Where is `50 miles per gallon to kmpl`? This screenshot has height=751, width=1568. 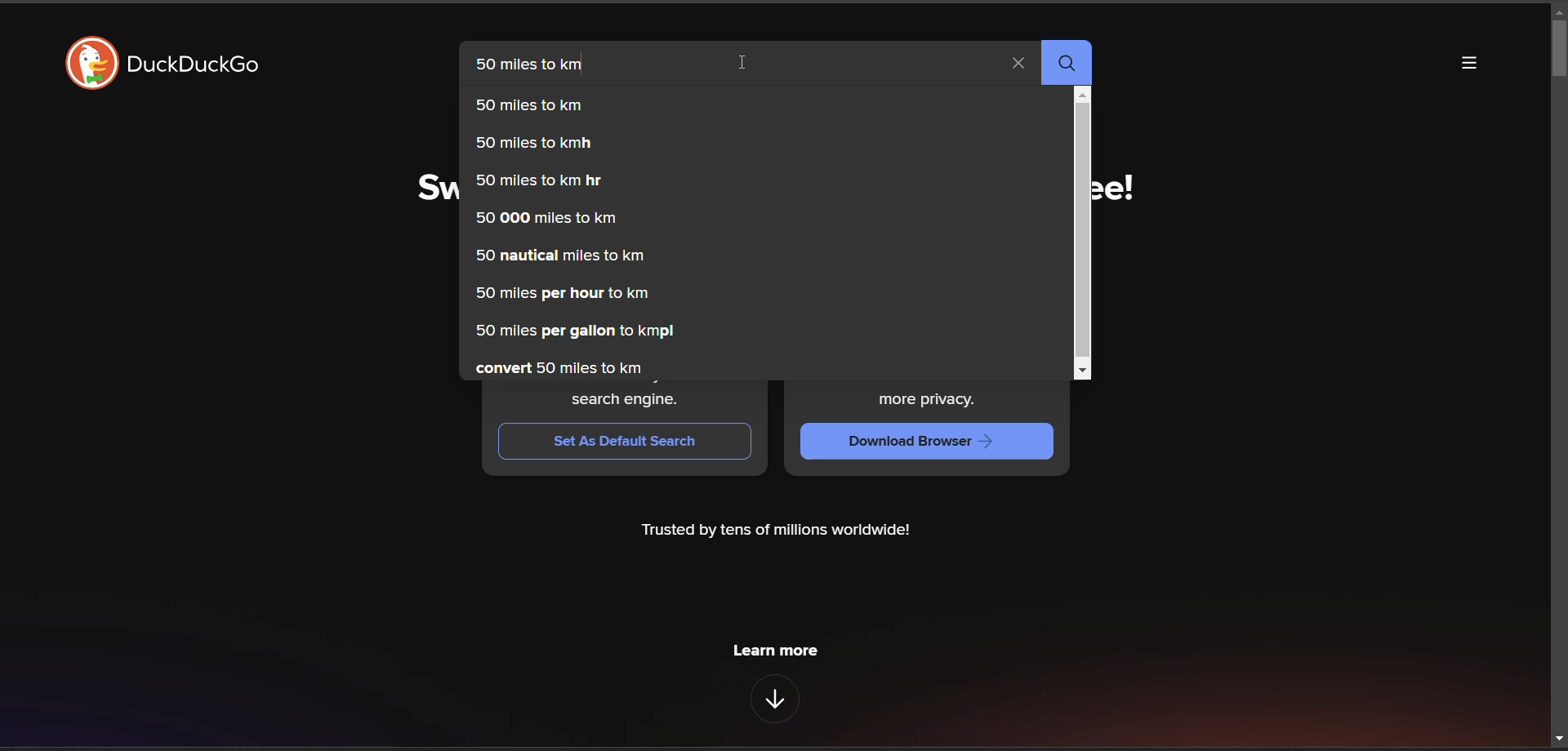 50 miles per gallon to kmpl is located at coordinates (576, 331).